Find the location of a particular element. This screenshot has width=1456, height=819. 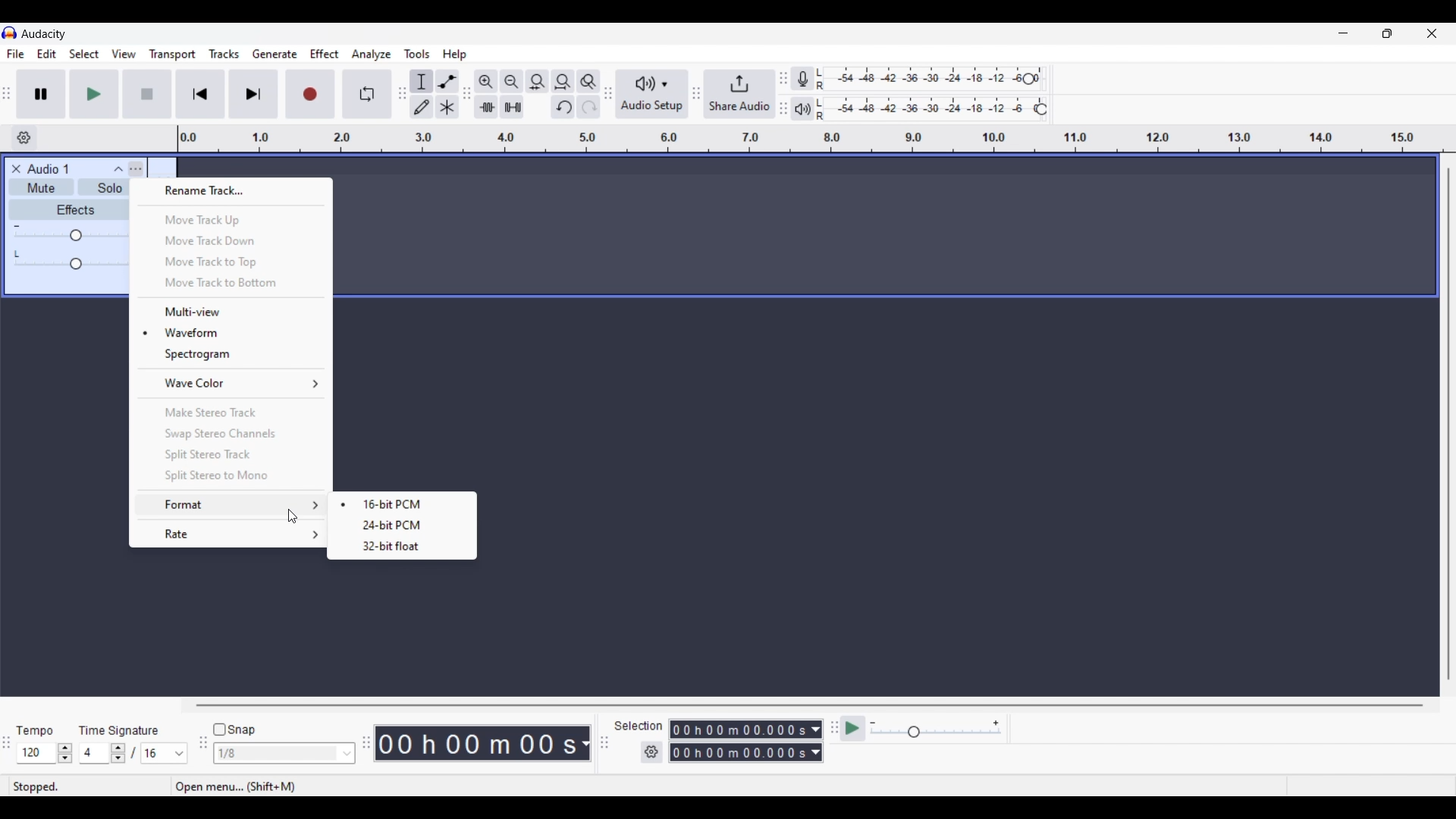

Waveform view, current selection is located at coordinates (231, 332).